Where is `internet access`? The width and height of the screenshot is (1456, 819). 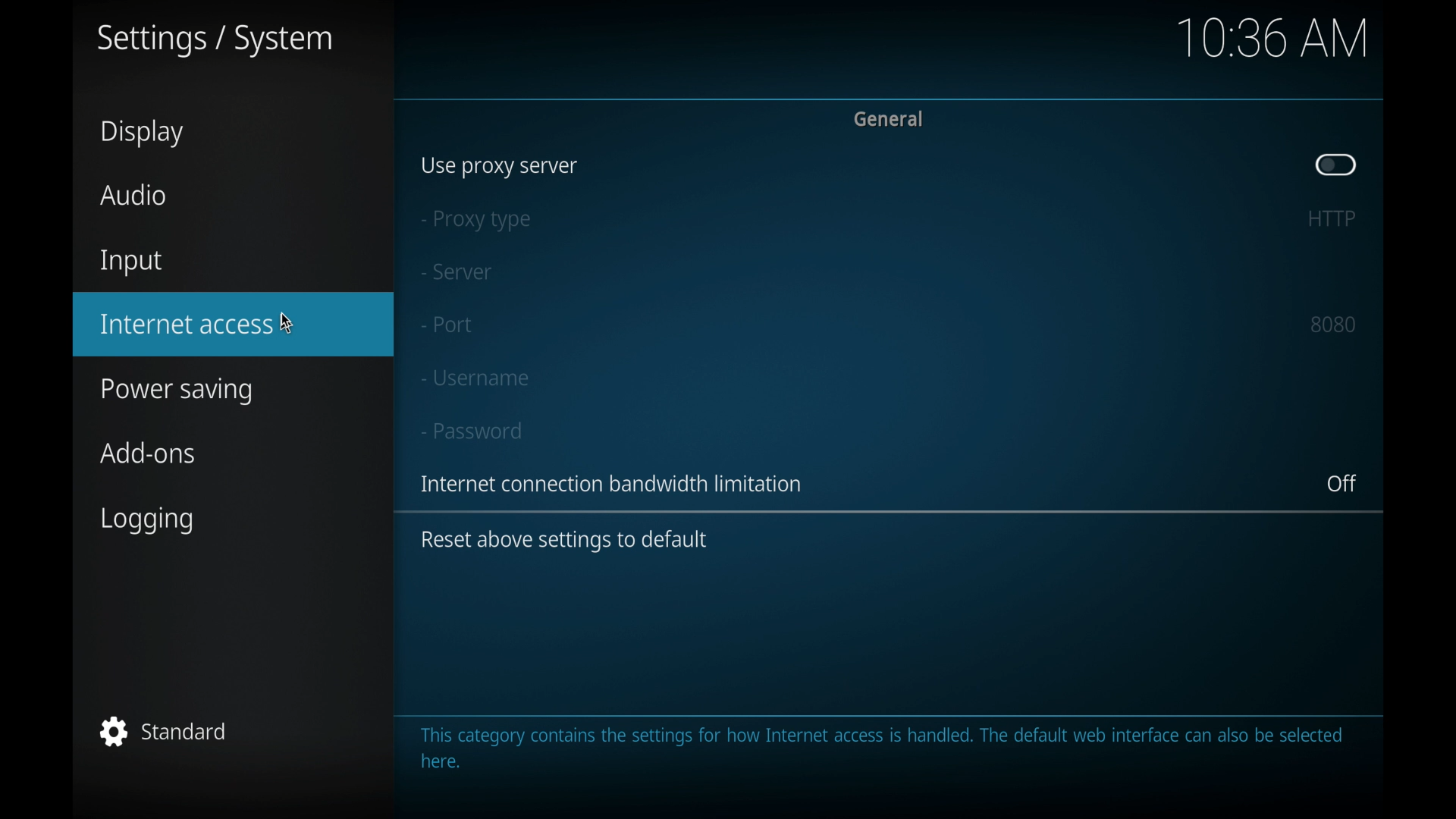
internet access is located at coordinates (188, 325).